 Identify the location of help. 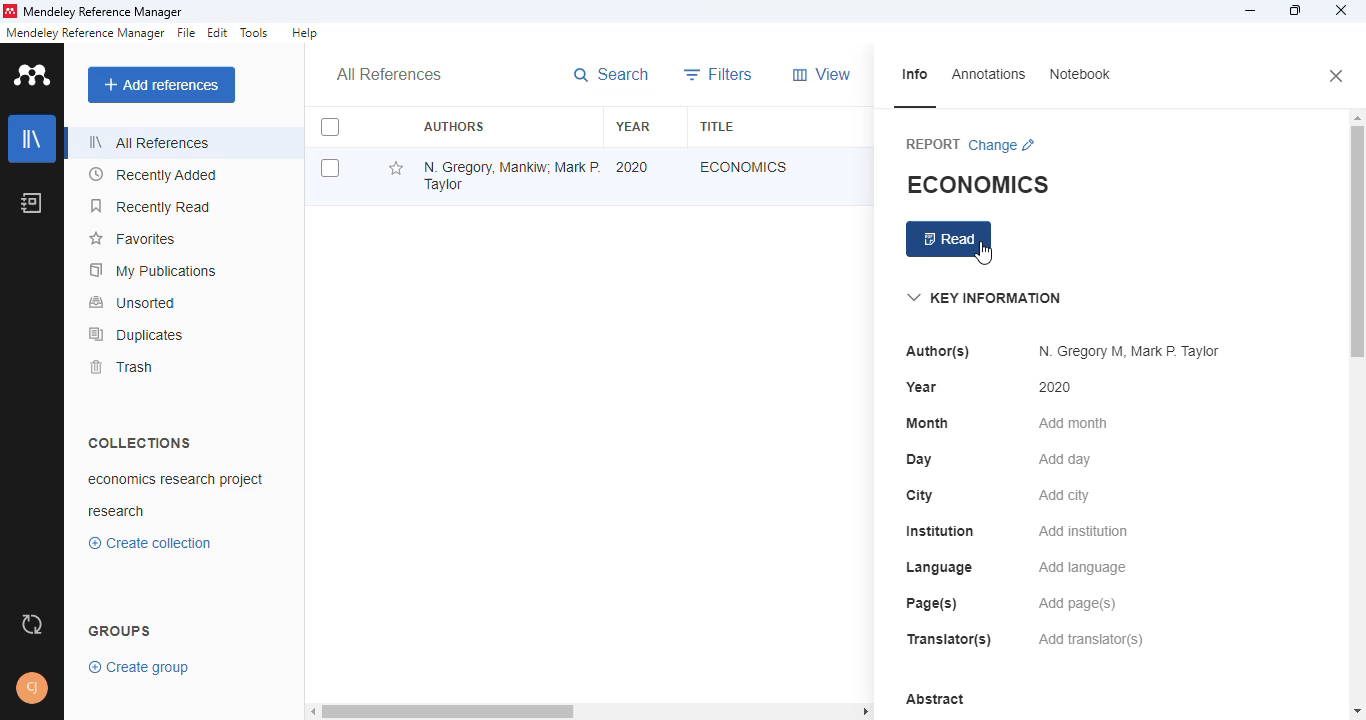
(305, 33).